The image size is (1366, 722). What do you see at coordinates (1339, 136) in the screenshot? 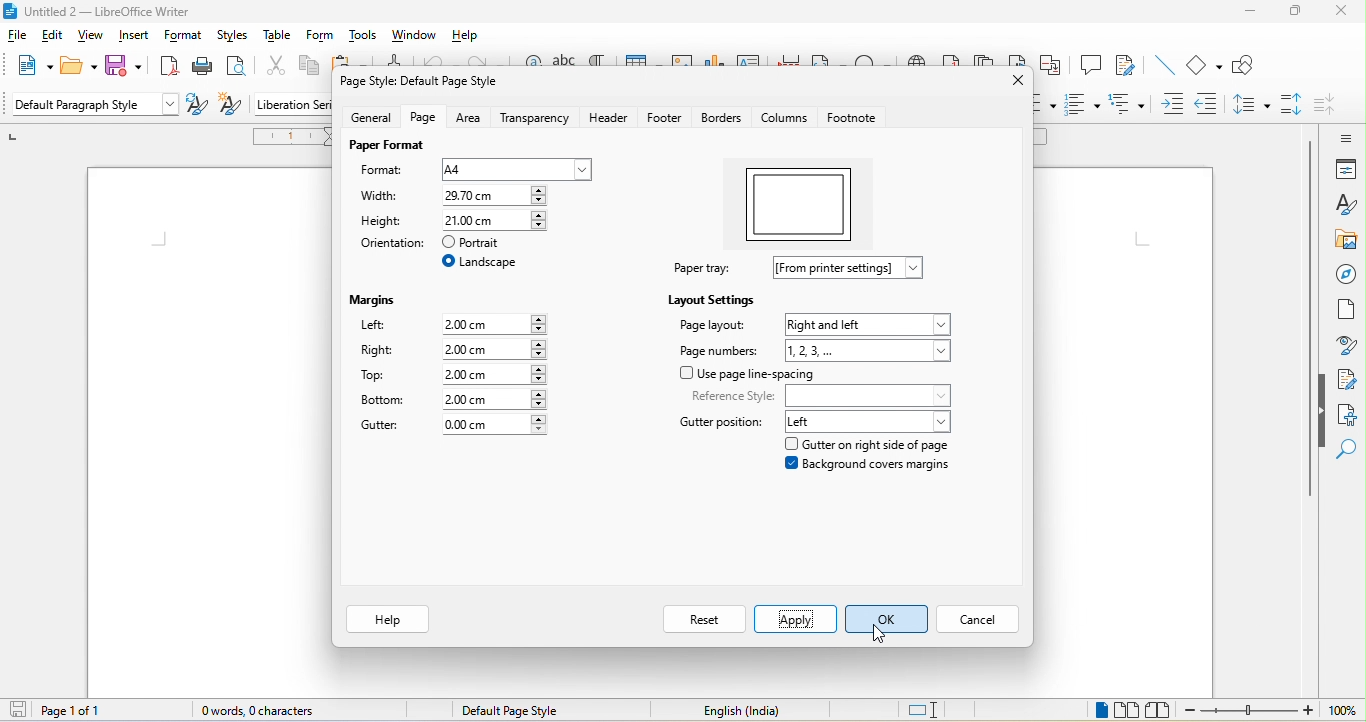
I see `sidebar` at bounding box center [1339, 136].